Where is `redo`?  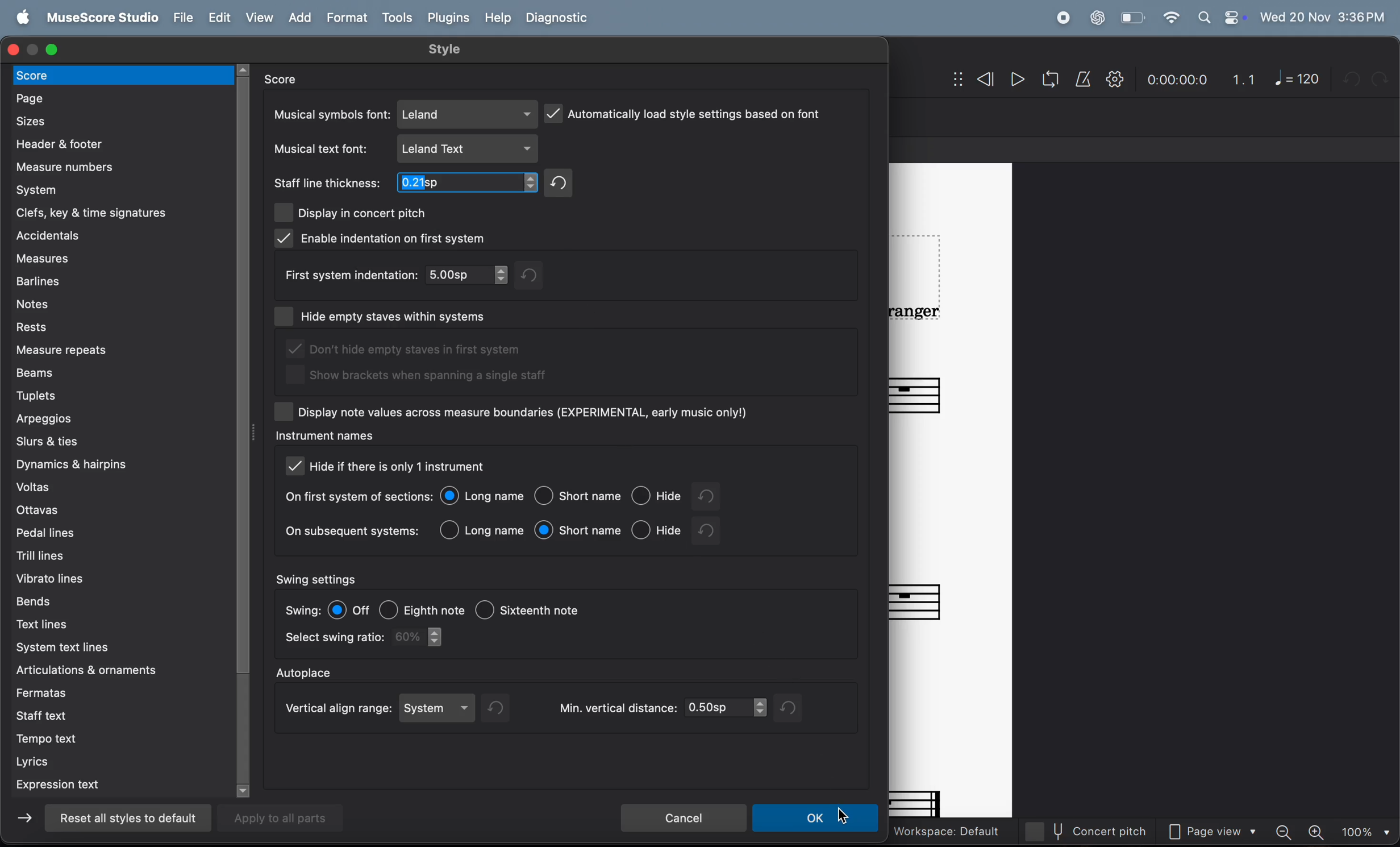 redo is located at coordinates (791, 708).